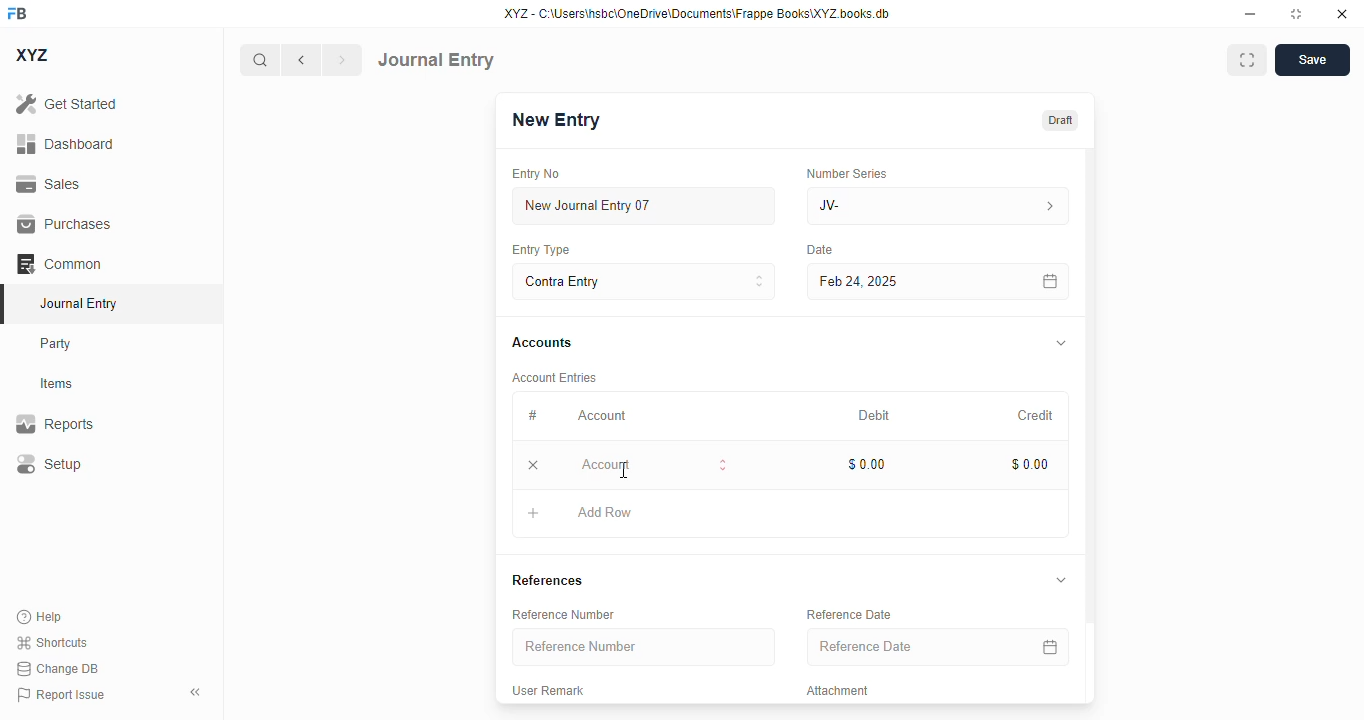  Describe the element at coordinates (1032, 464) in the screenshot. I see `$0.00` at that location.